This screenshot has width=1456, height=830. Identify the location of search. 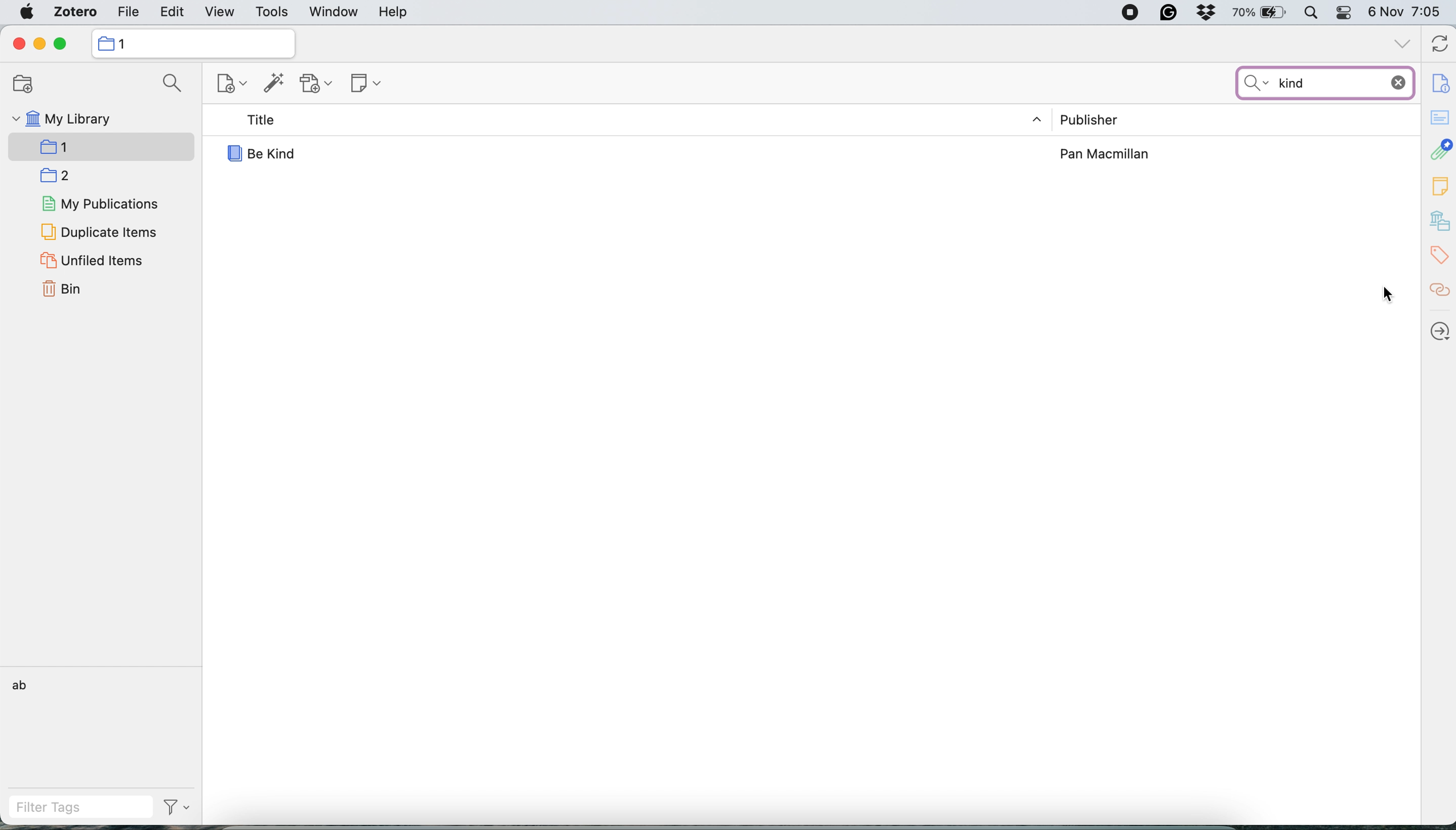
(1257, 83).